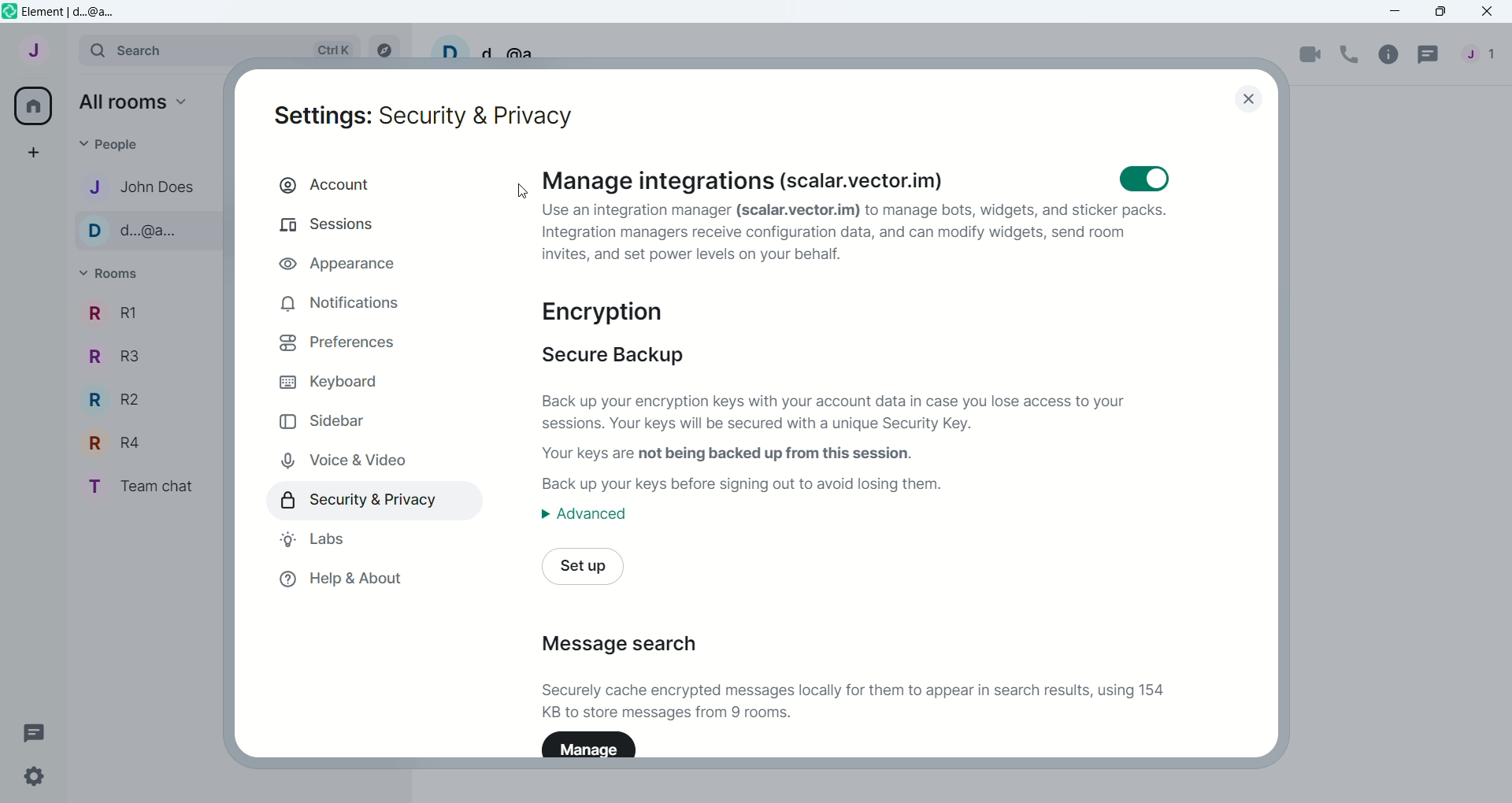  Describe the element at coordinates (346, 303) in the screenshot. I see `notifications` at that location.